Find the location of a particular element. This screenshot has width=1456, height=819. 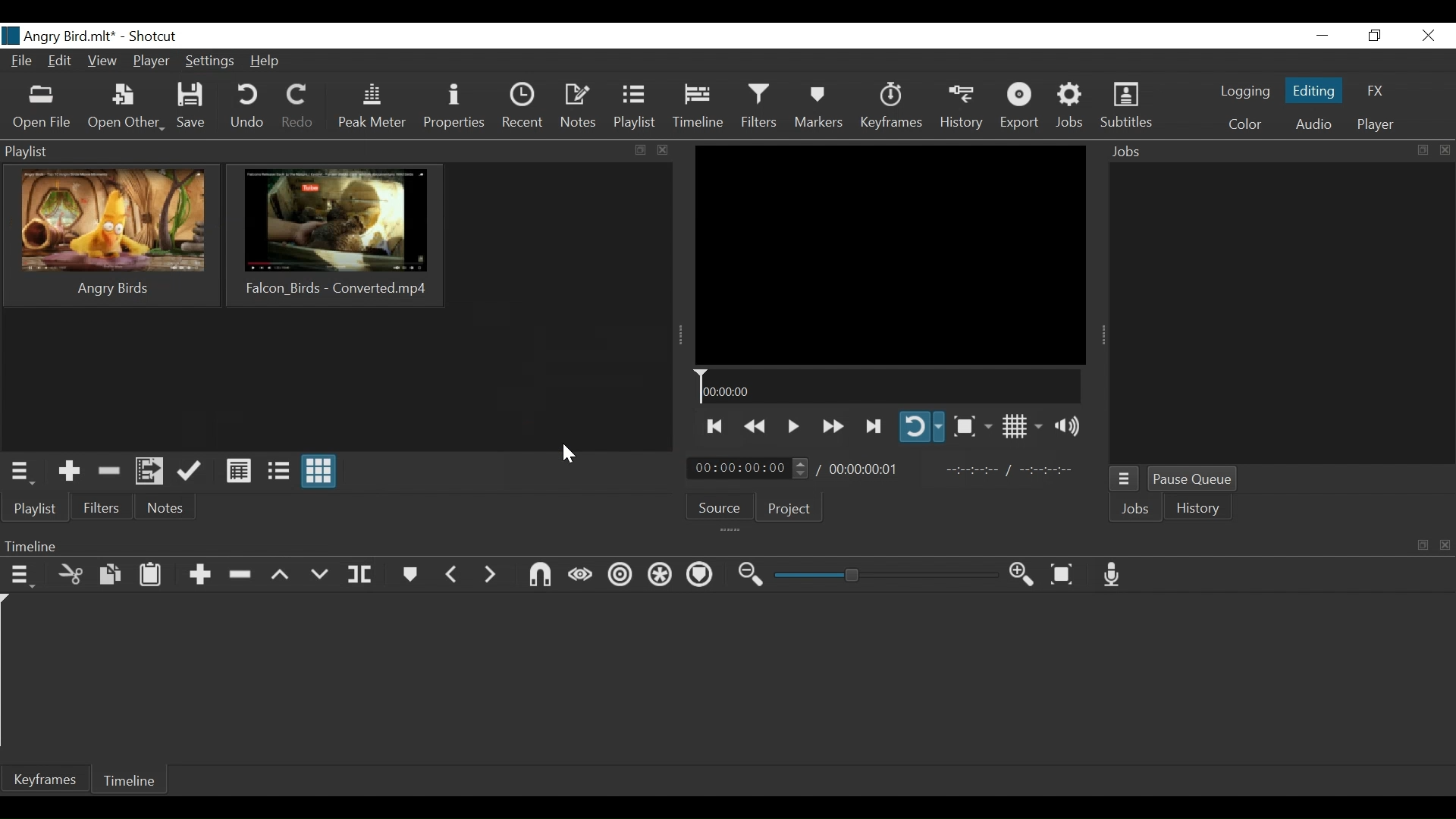

Snap is located at coordinates (541, 576).